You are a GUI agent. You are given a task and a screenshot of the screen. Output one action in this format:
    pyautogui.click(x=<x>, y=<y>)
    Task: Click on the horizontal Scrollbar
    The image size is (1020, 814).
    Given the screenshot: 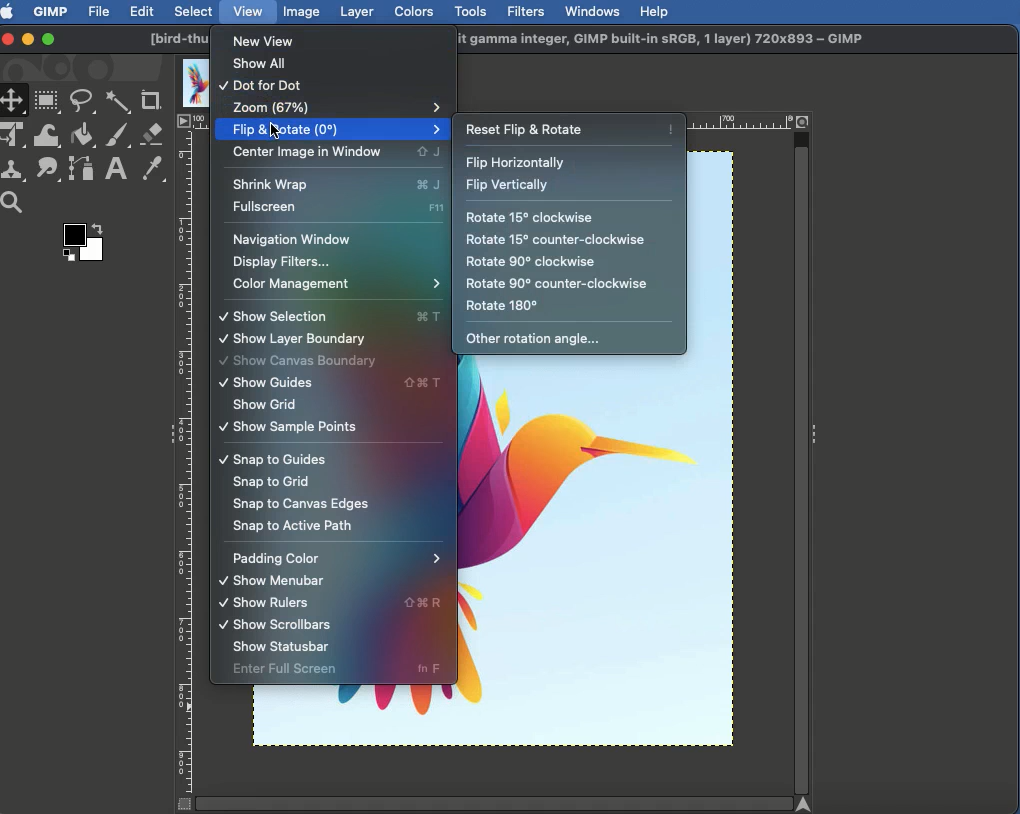 What is the action you would take?
    pyautogui.click(x=492, y=802)
    